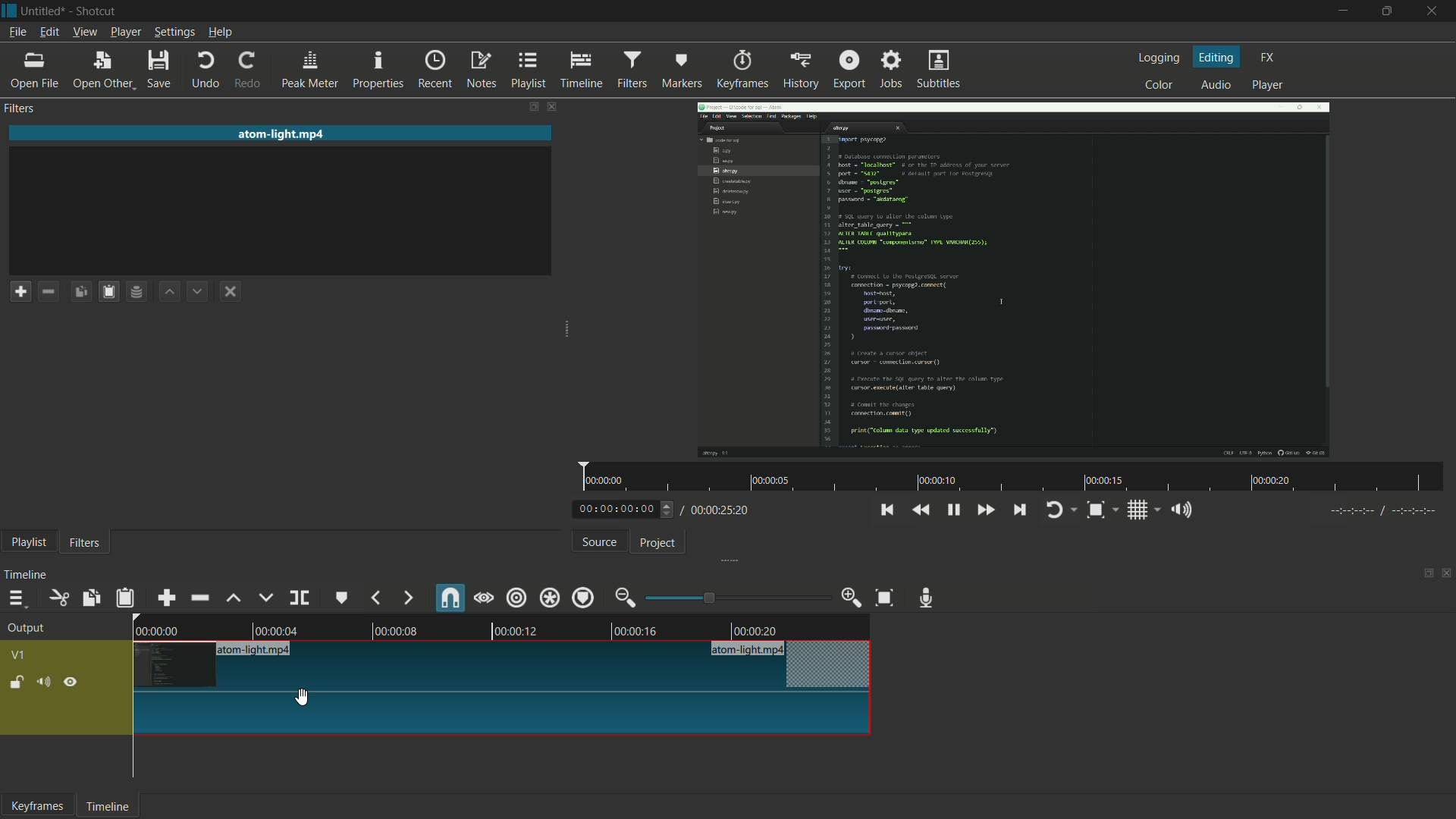  I want to click on create or edit marker, so click(342, 598).